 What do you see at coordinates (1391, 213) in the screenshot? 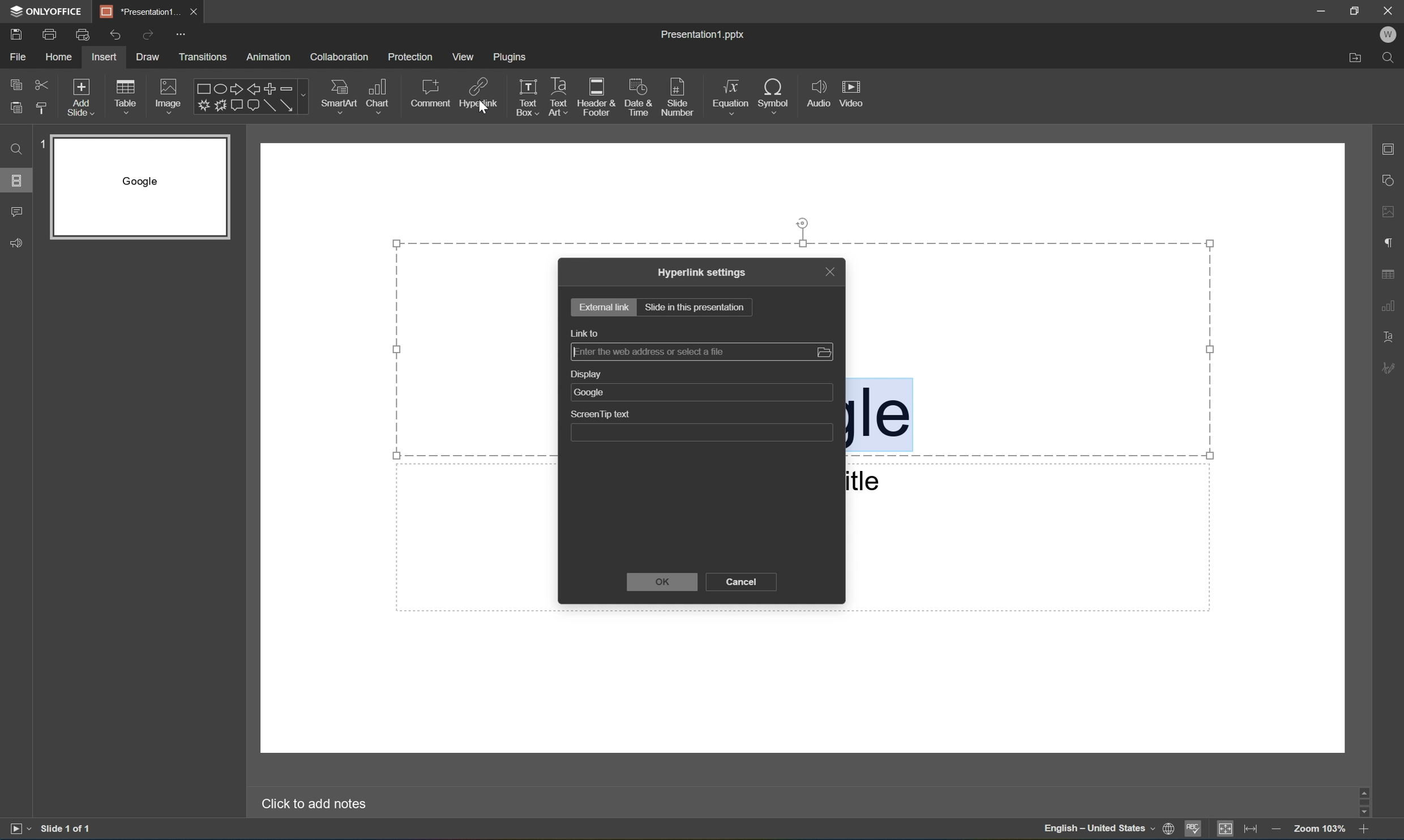
I see `Image settings` at bounding box center [1391, 213].